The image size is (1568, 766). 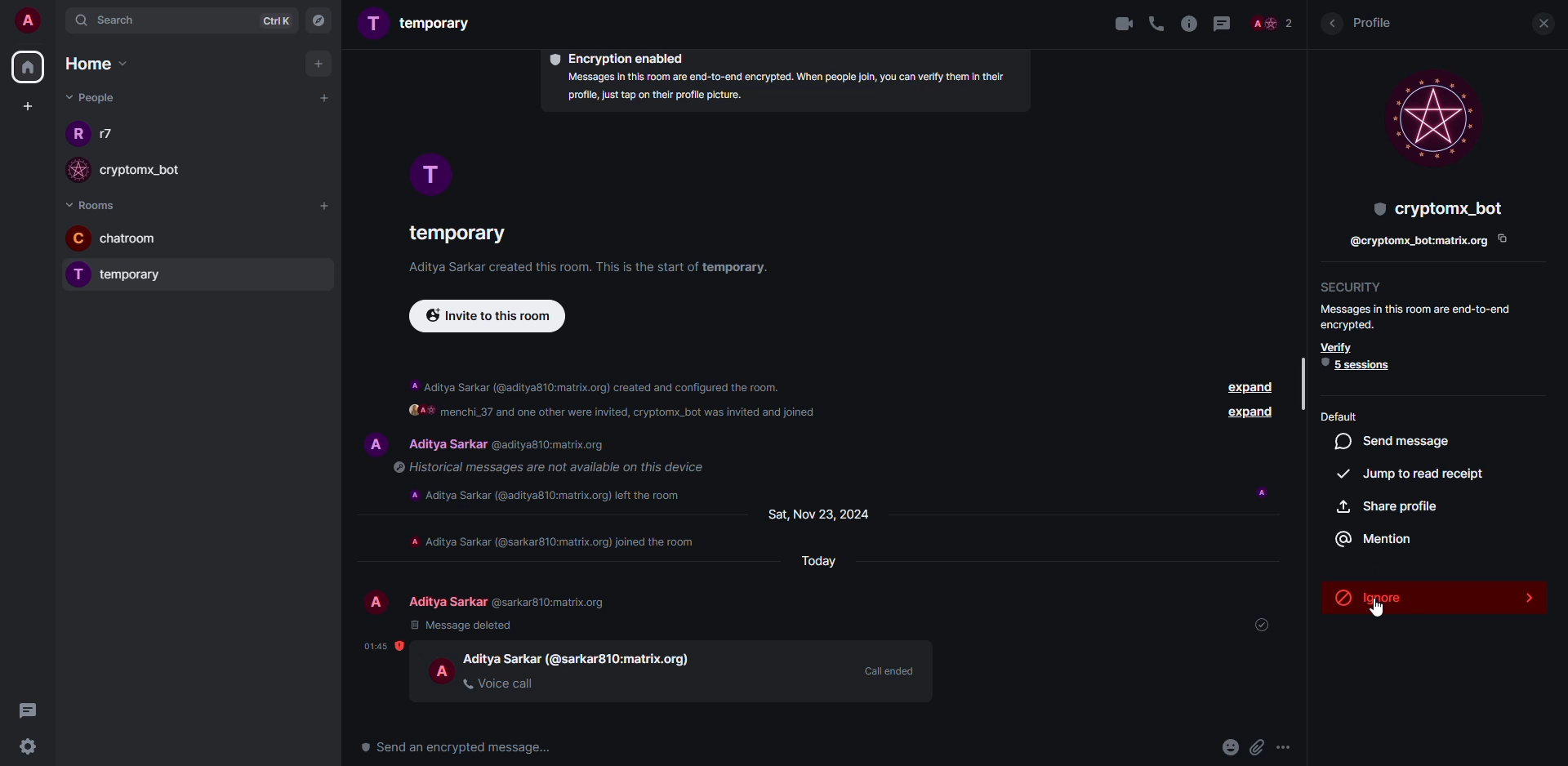 I want to click on profile, so click(x=79, y=238).